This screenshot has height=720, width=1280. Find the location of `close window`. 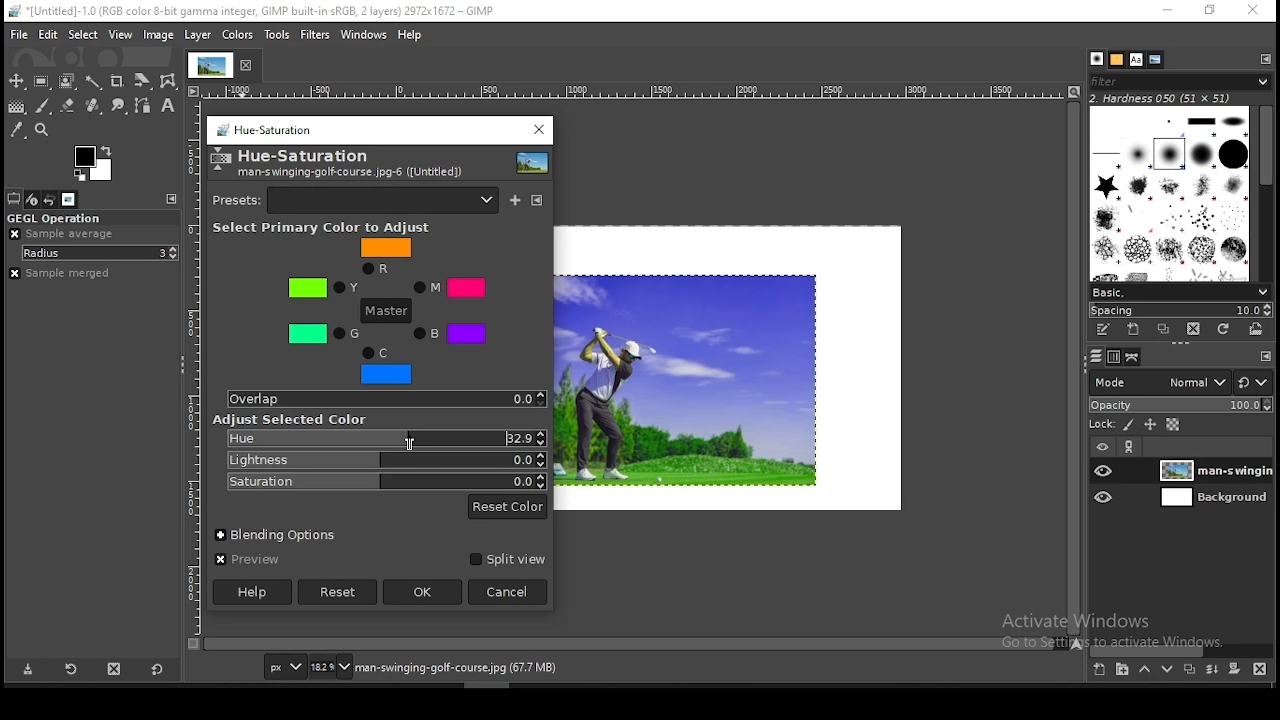

close window is located at coordinates (1255, 11).